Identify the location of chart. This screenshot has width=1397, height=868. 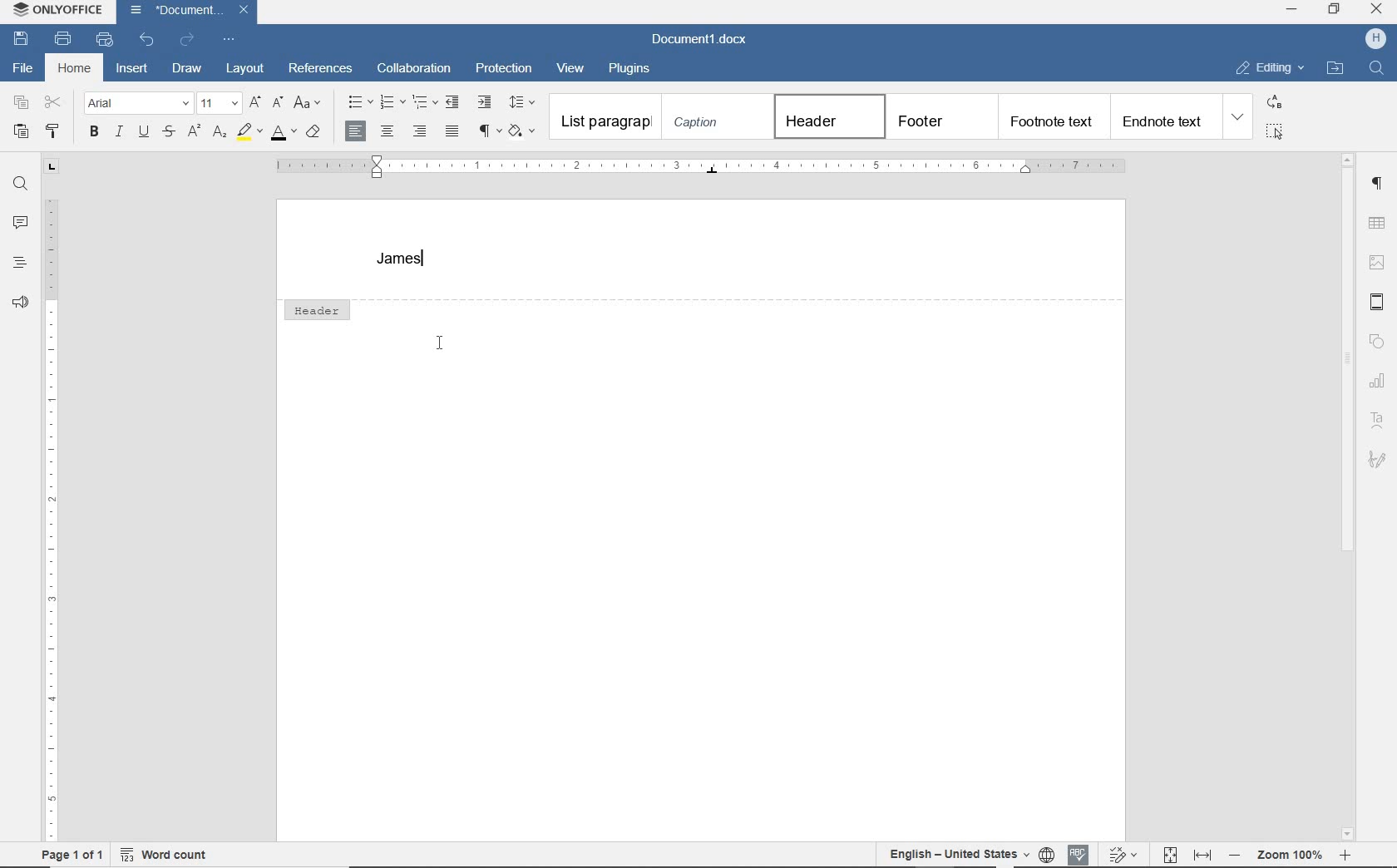
(1380, 378).